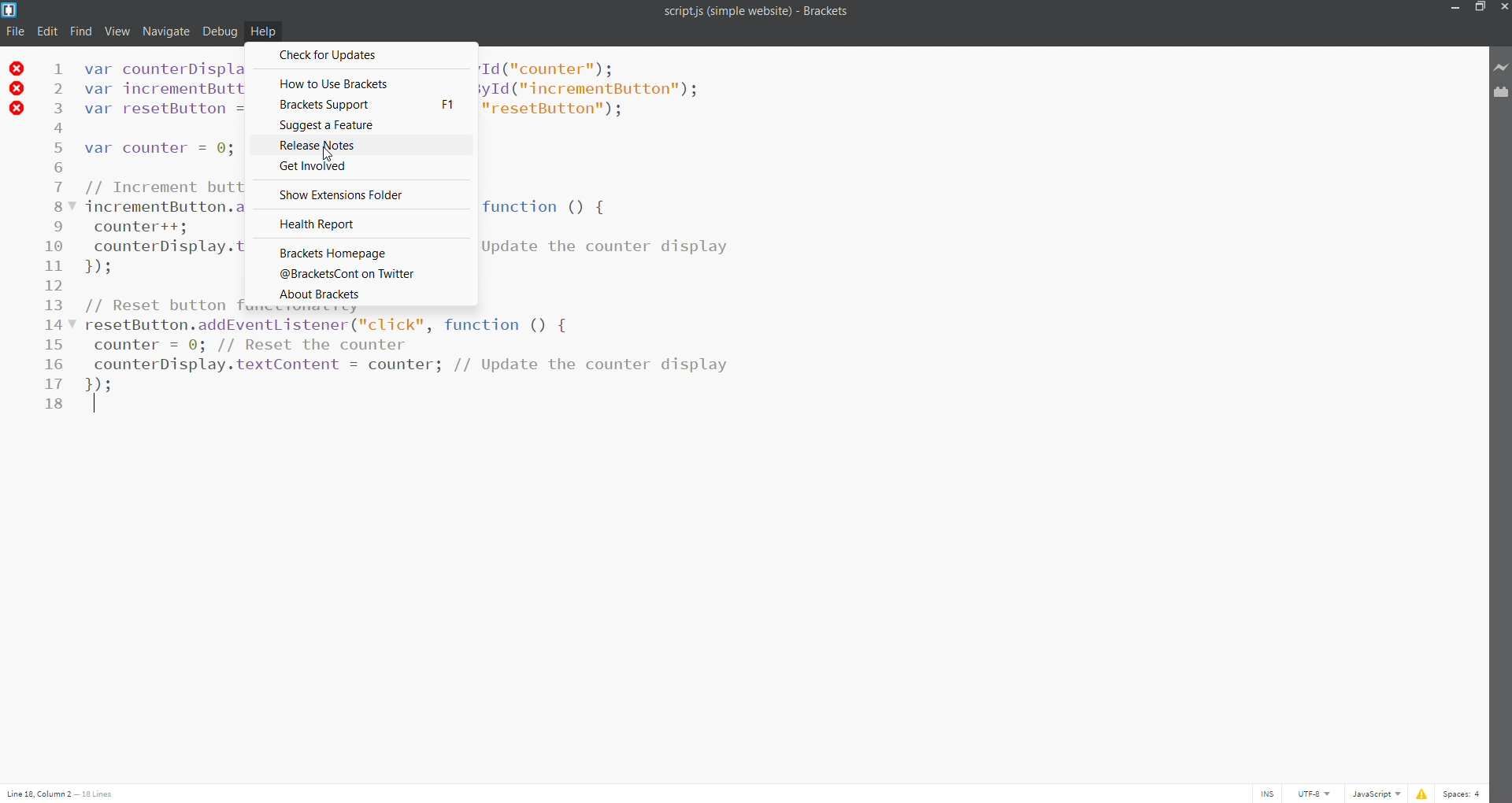  I want to click on show extensions folder, so click(365, 194).